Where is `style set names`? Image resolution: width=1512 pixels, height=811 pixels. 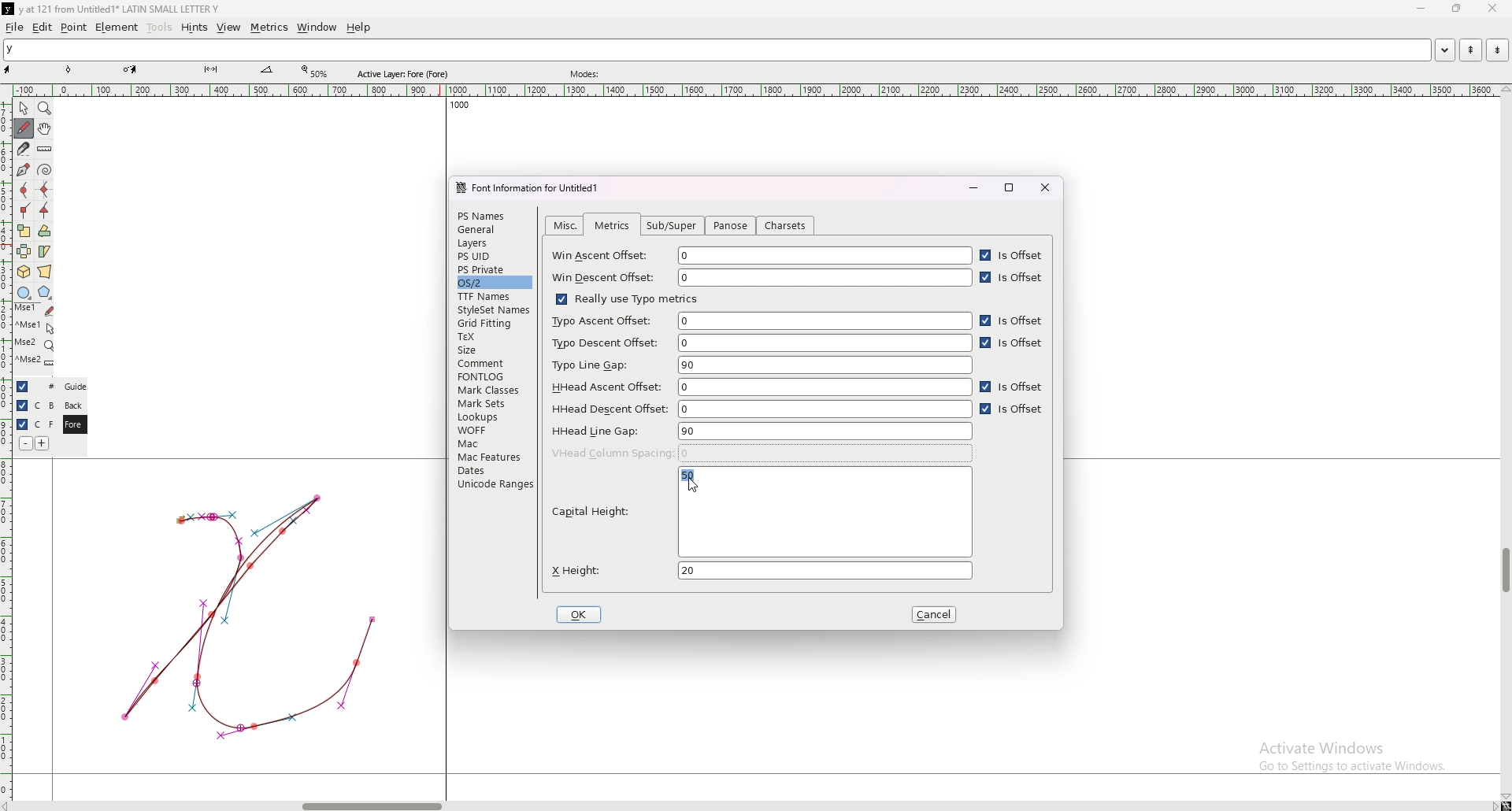
style set names is located at coordinates (492, 310).